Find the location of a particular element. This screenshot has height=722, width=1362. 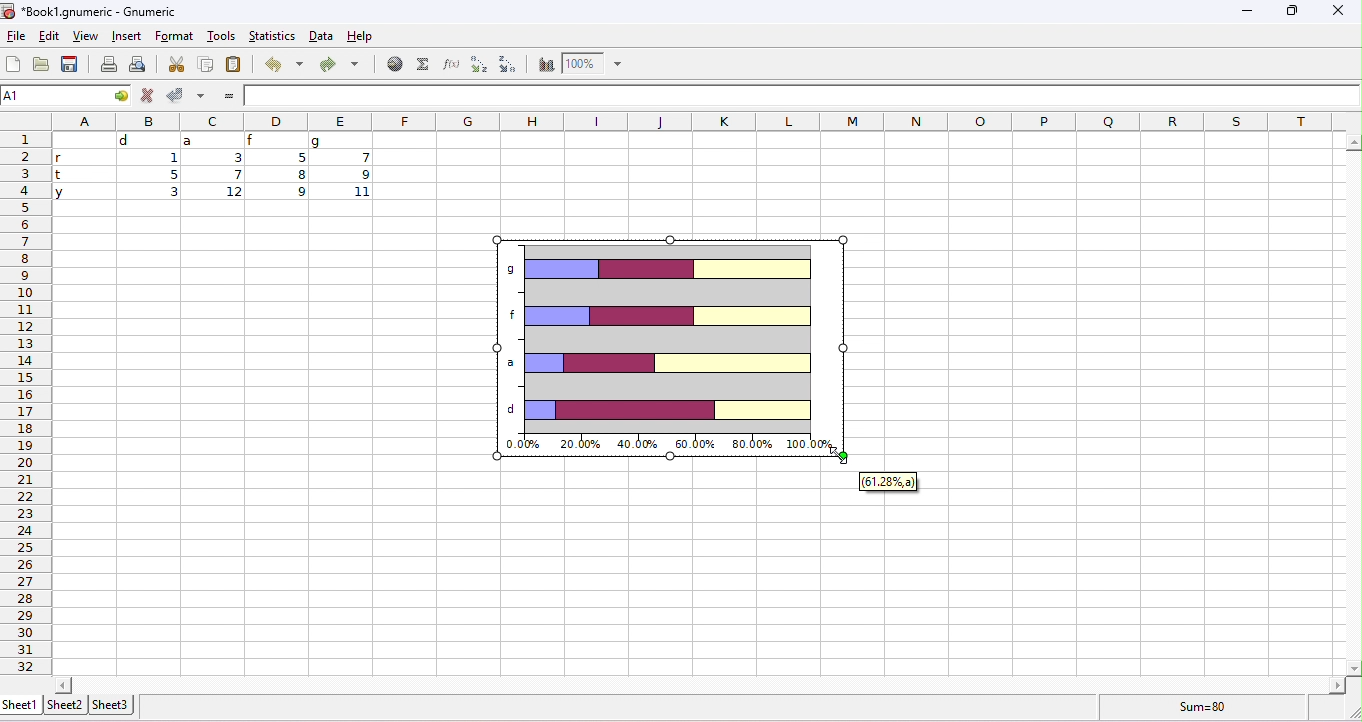

zoom is located at coordinates (592, 63).